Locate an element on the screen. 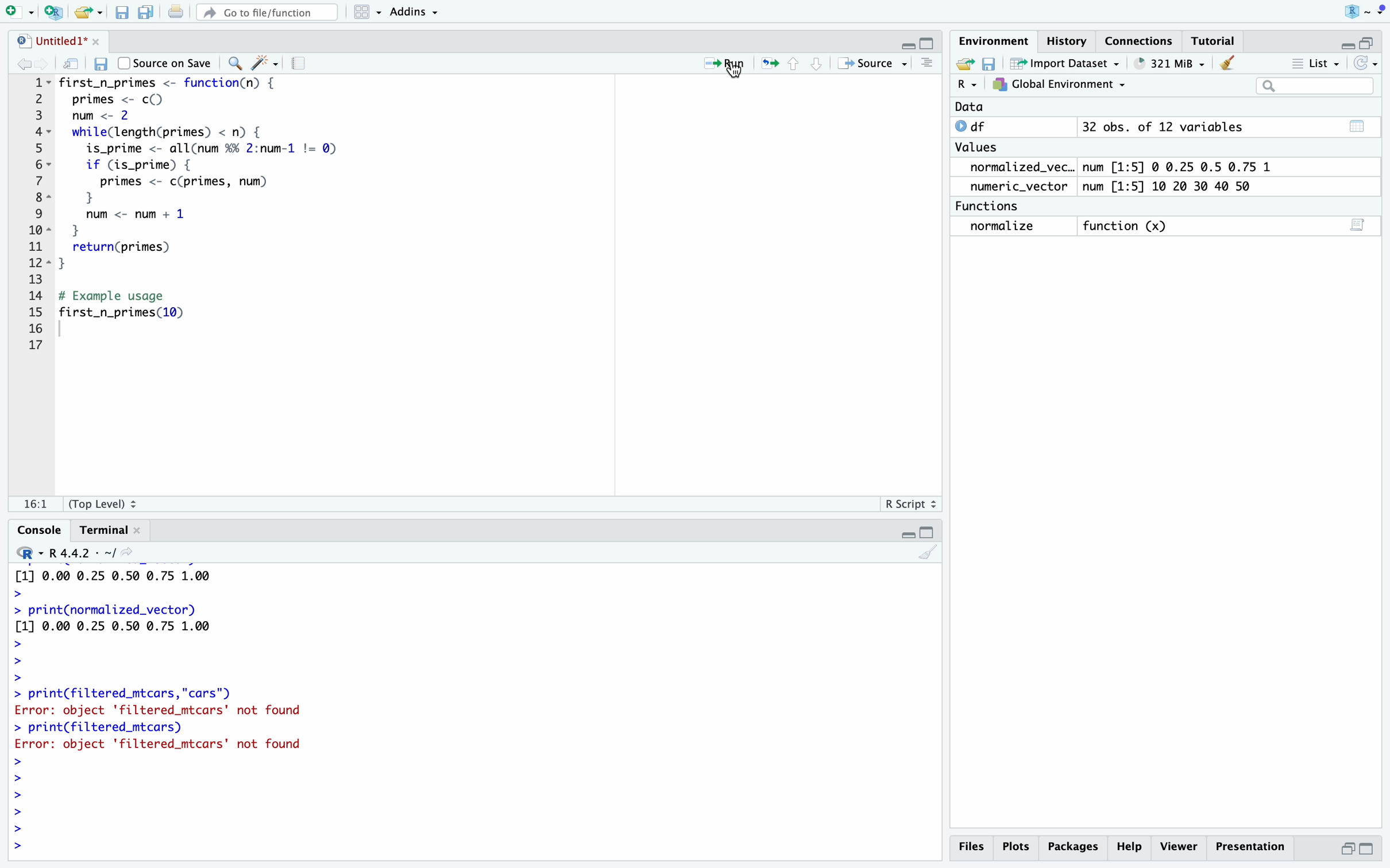 The height and width of the screenshot is (868, 1390). Help is located at coordinates (1131, 845).